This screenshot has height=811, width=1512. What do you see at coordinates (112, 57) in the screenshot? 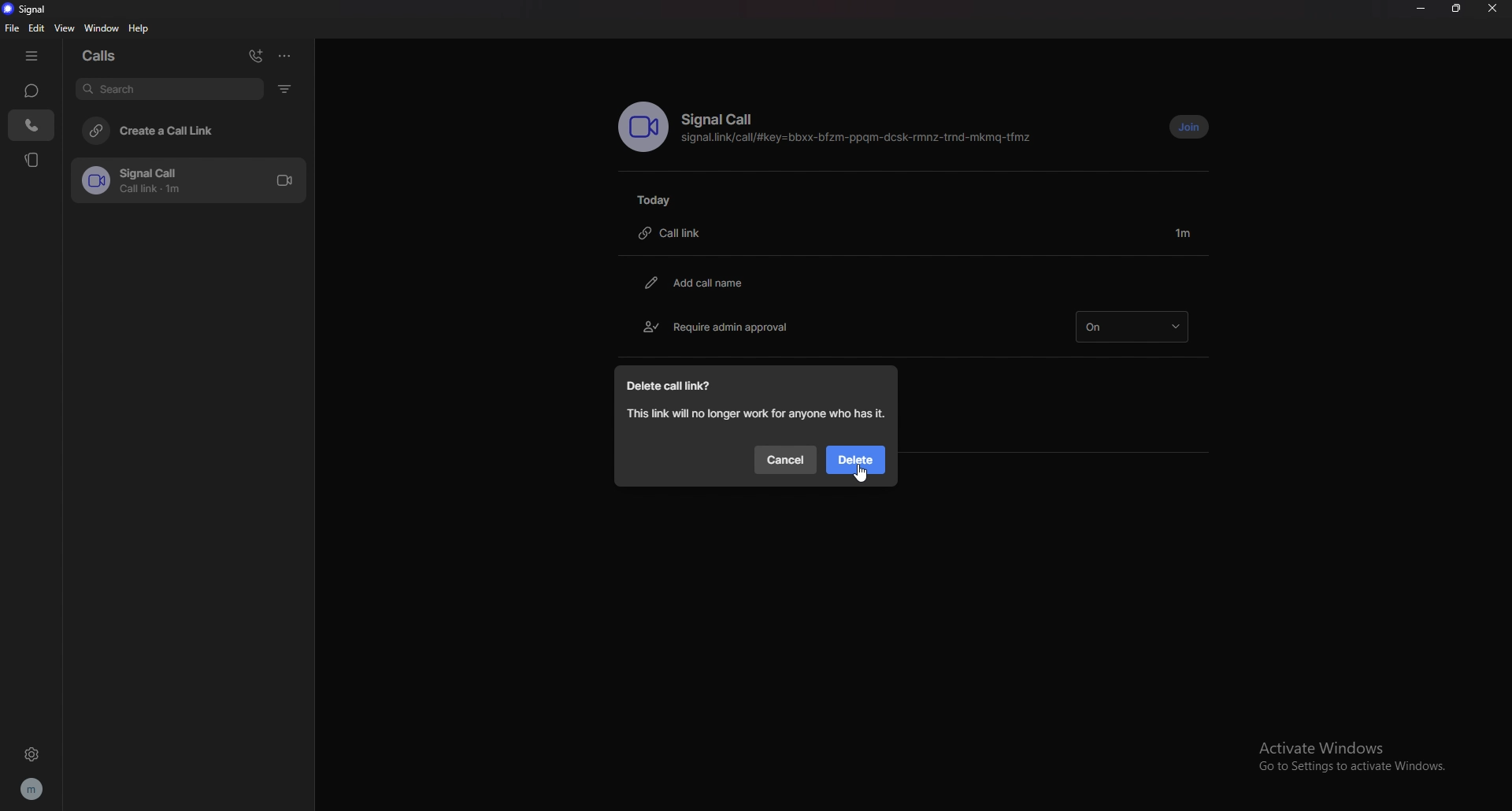
I see `calls` at bounding box center [112, 57].